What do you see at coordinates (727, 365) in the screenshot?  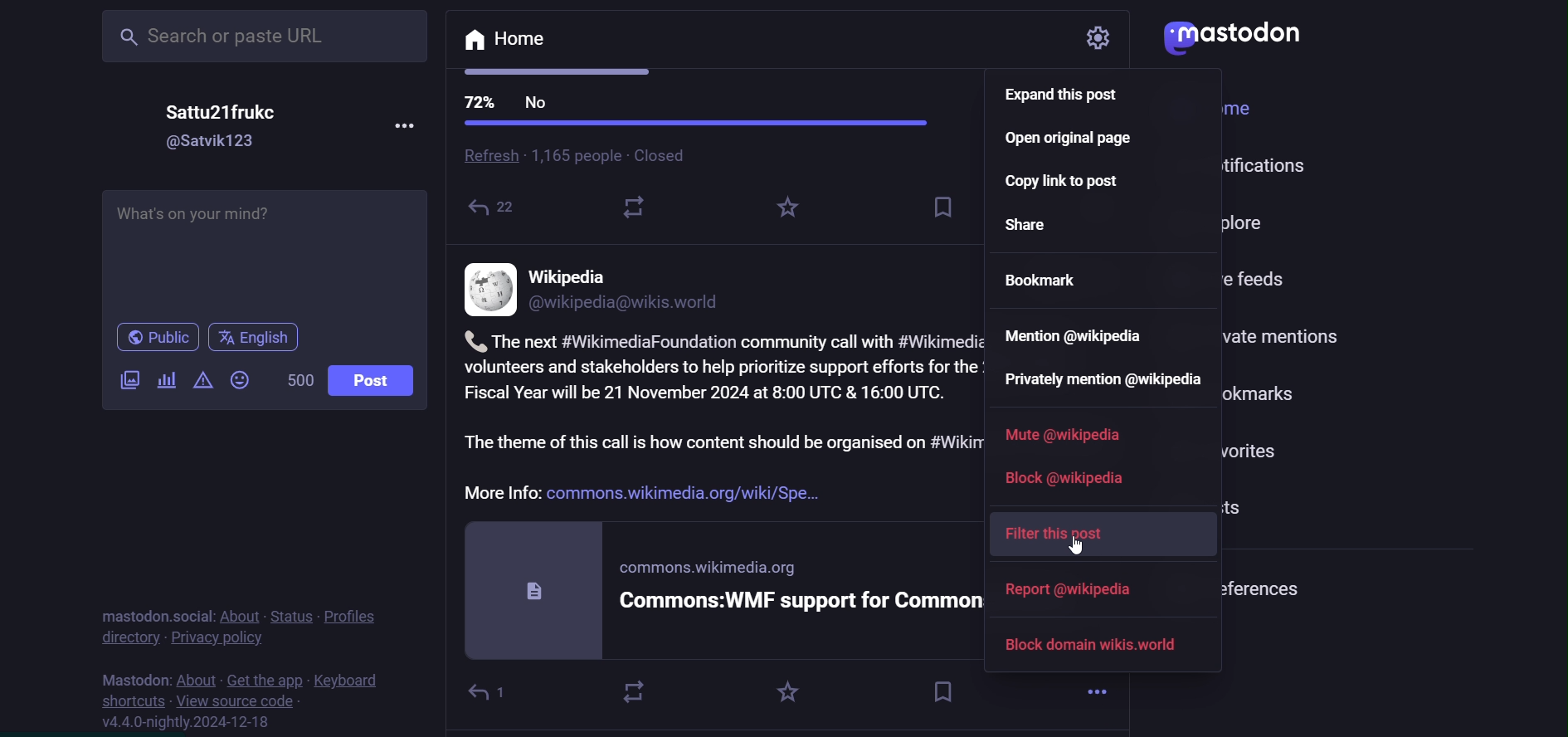 I see `volunteers and stakeholders to help prioritize support efforts for the 2025-2026` at bounding box center [727, 365].